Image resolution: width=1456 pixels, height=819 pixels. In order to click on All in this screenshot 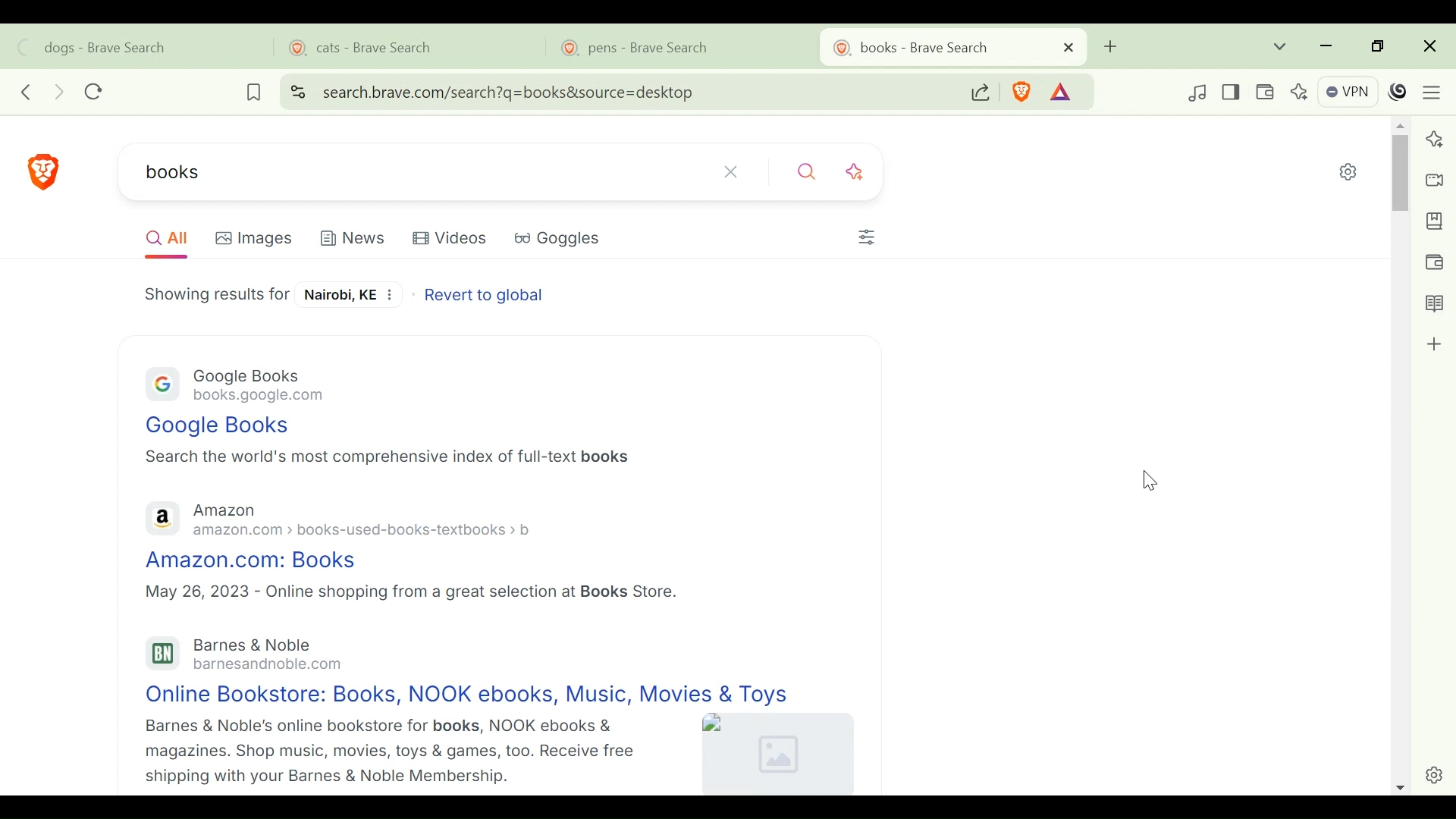, I will do `click(162, 235)`.